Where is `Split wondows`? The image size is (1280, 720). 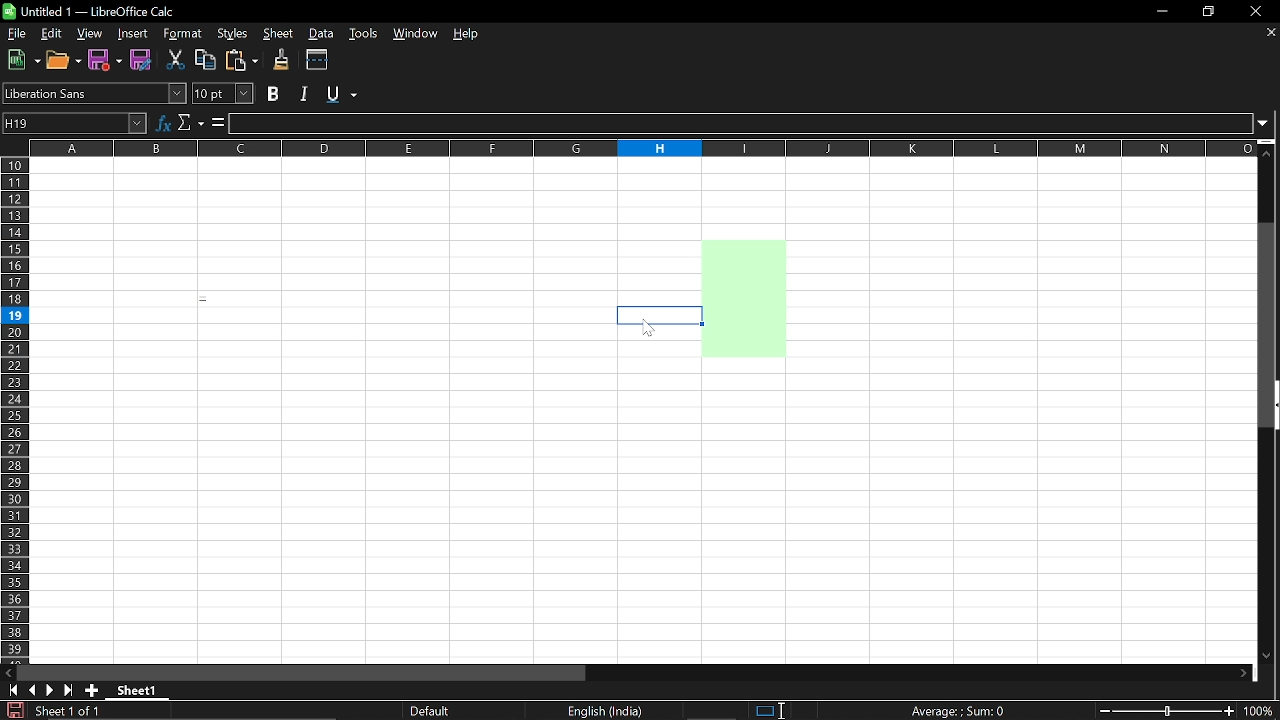
Split wondows is located at coordinates (318, 60).